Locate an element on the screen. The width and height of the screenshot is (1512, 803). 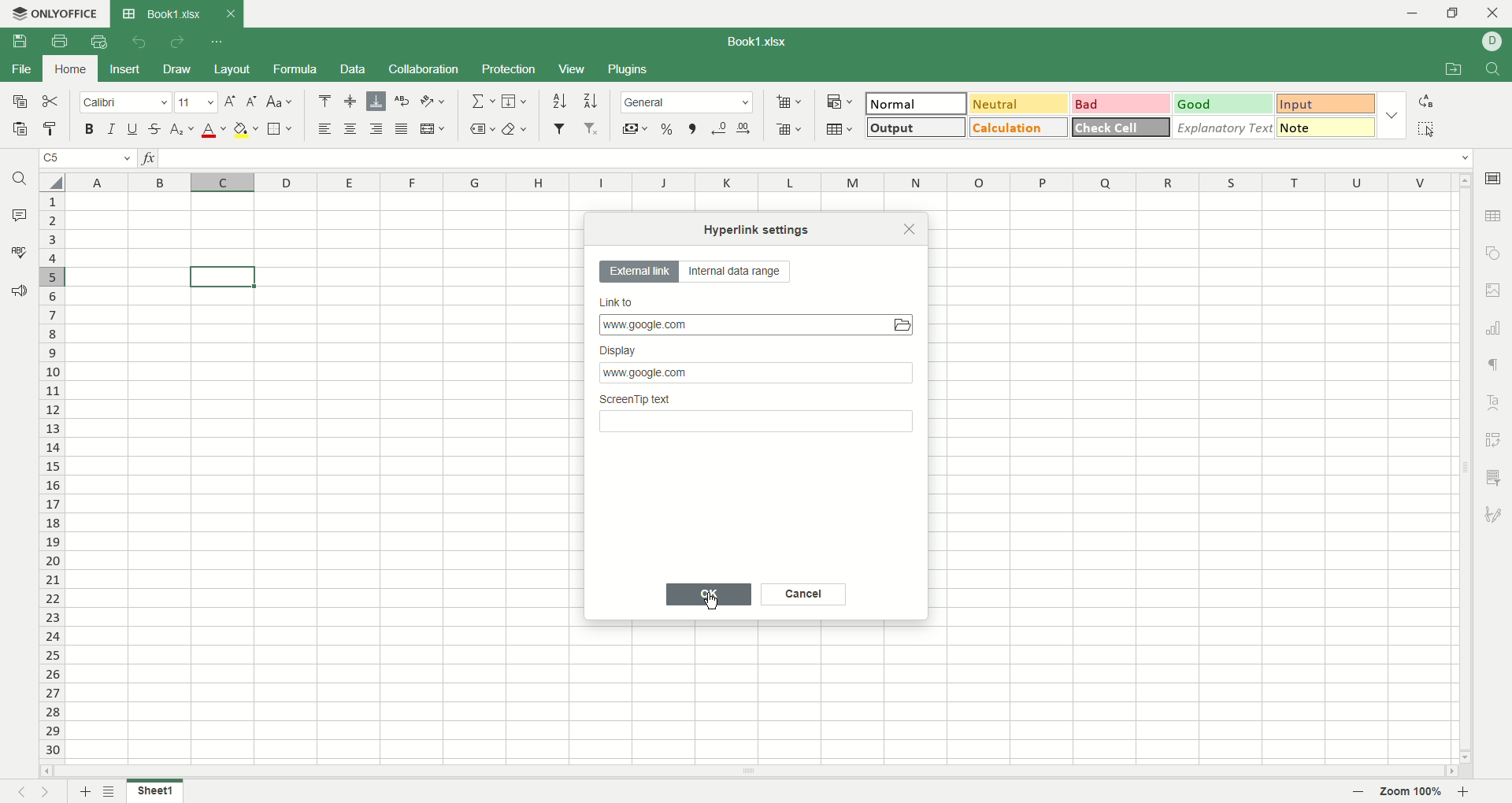
paste is located at coordinates (20, 131).